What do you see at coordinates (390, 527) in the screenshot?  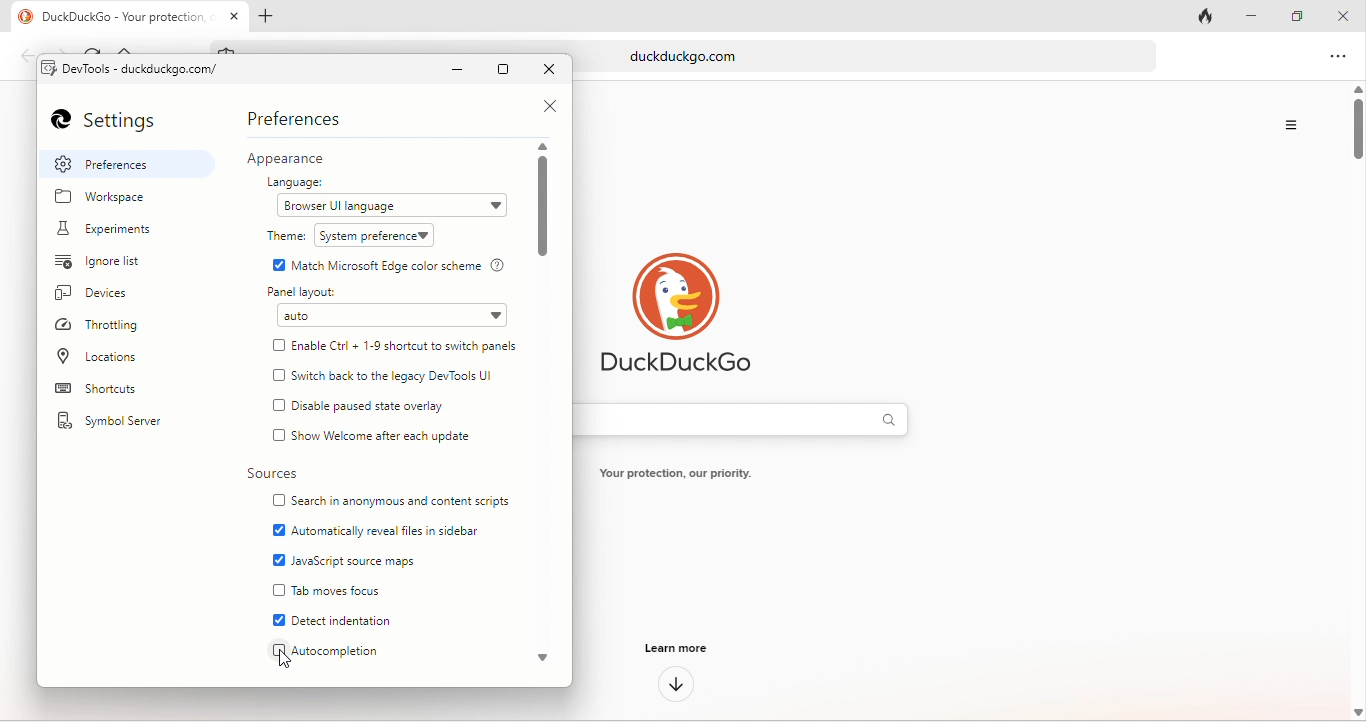 I see `automatically reveal files in sidebar` at bounding box center [390, 527].